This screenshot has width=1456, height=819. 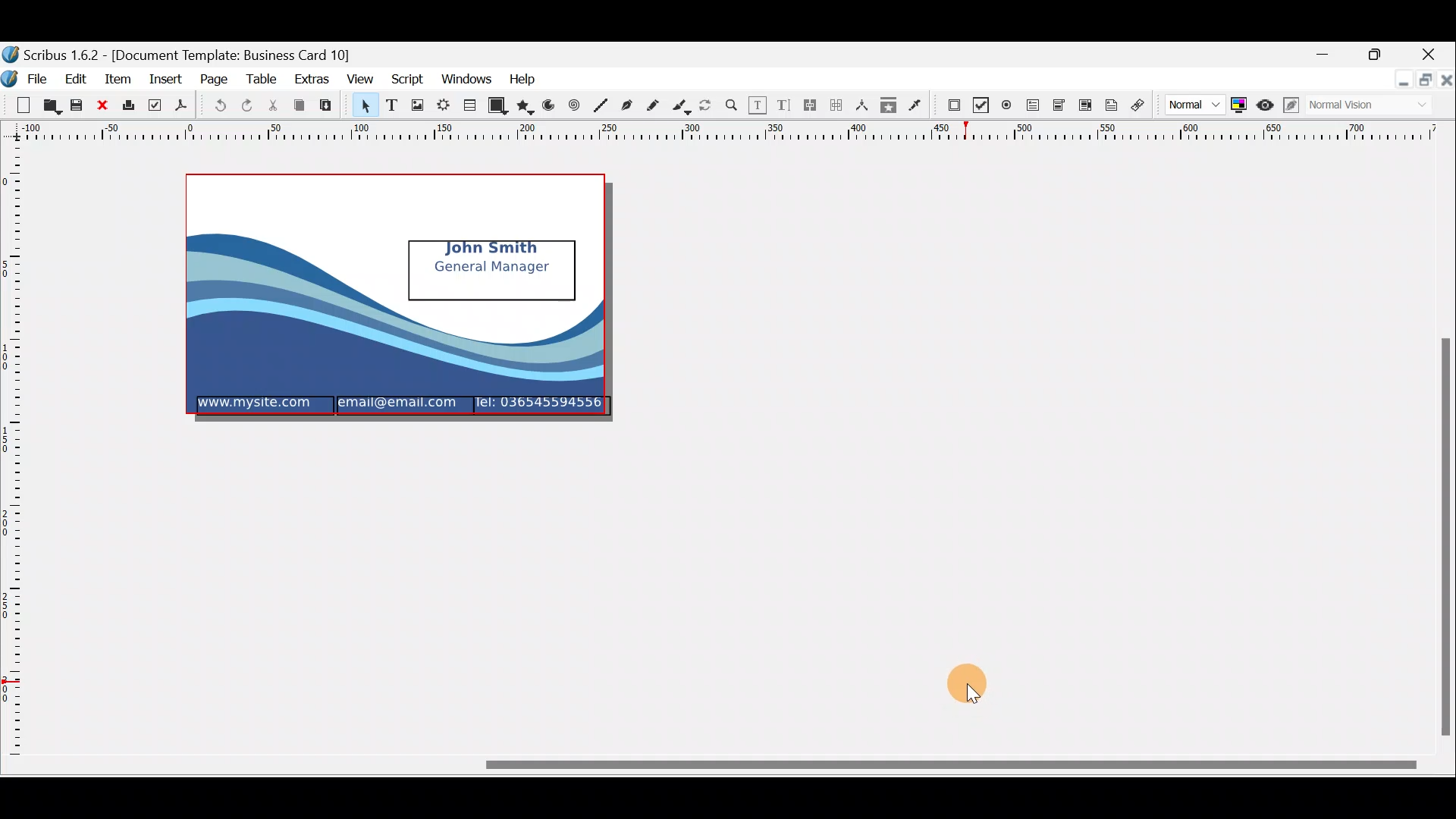 What do you see at coordinates (1343, 106) in the screenshot?
I see `Visual appearance` at bounding box center [1343, 106].